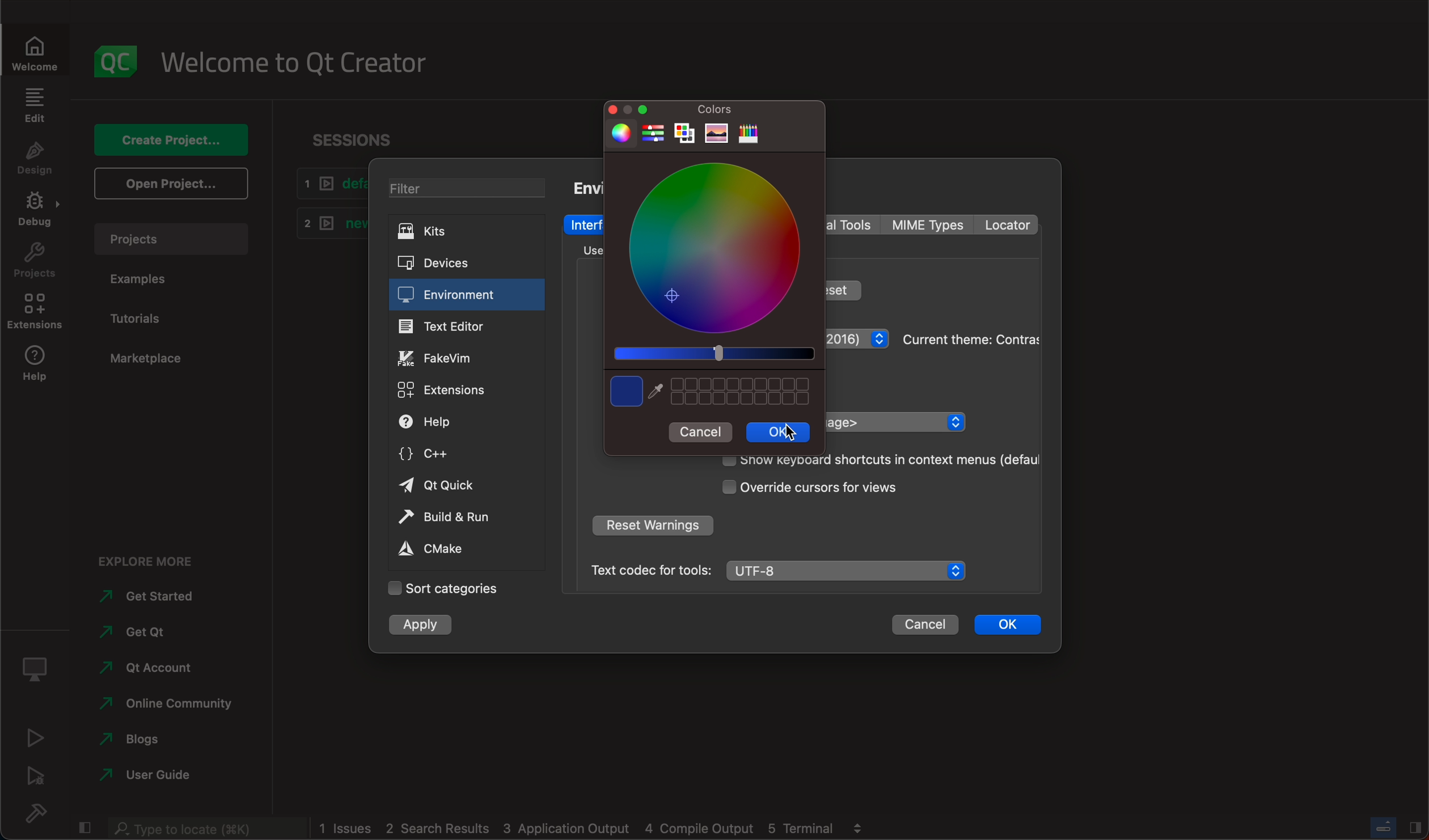 The height and width of the screenshot is (840, 1429). Describe the element at coordinates (779, 432) in the screenshot. I see `ok` at that location.